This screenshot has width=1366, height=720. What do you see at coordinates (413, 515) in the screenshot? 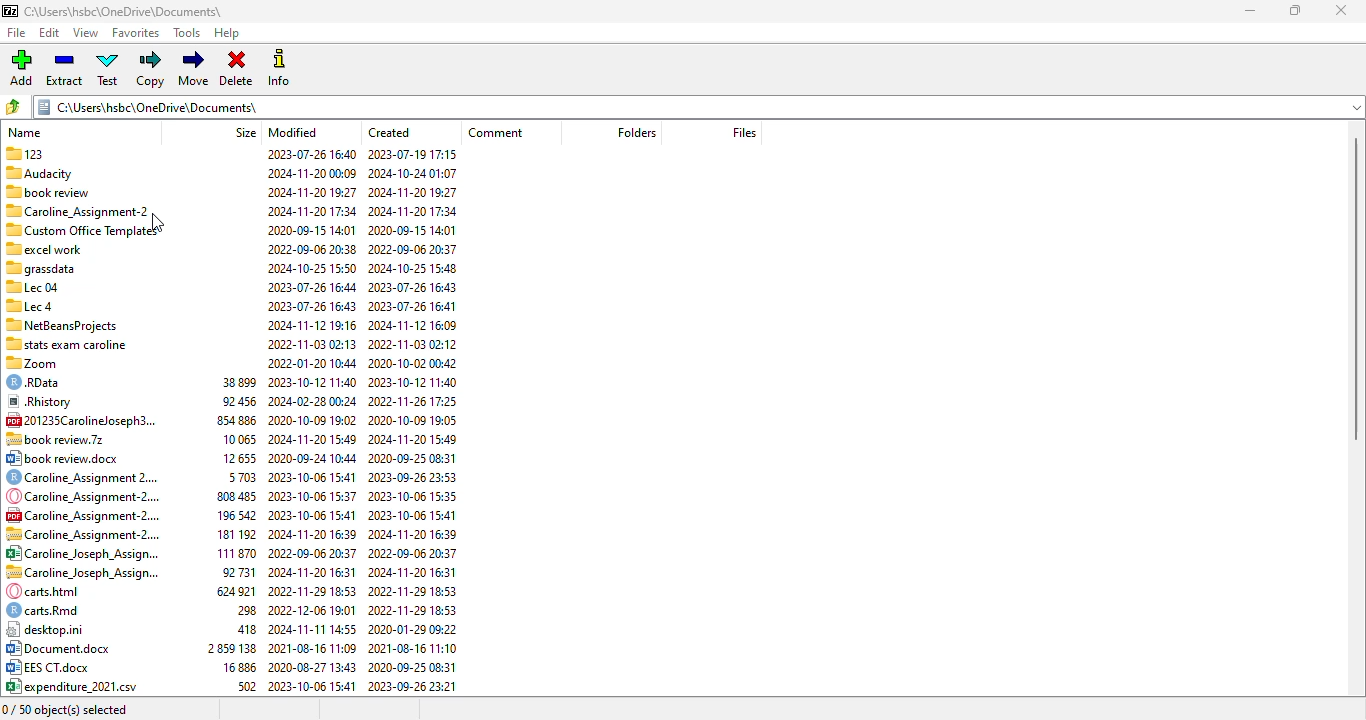
I see `2023-10-06 15:41` at bounding box center [413, 515].